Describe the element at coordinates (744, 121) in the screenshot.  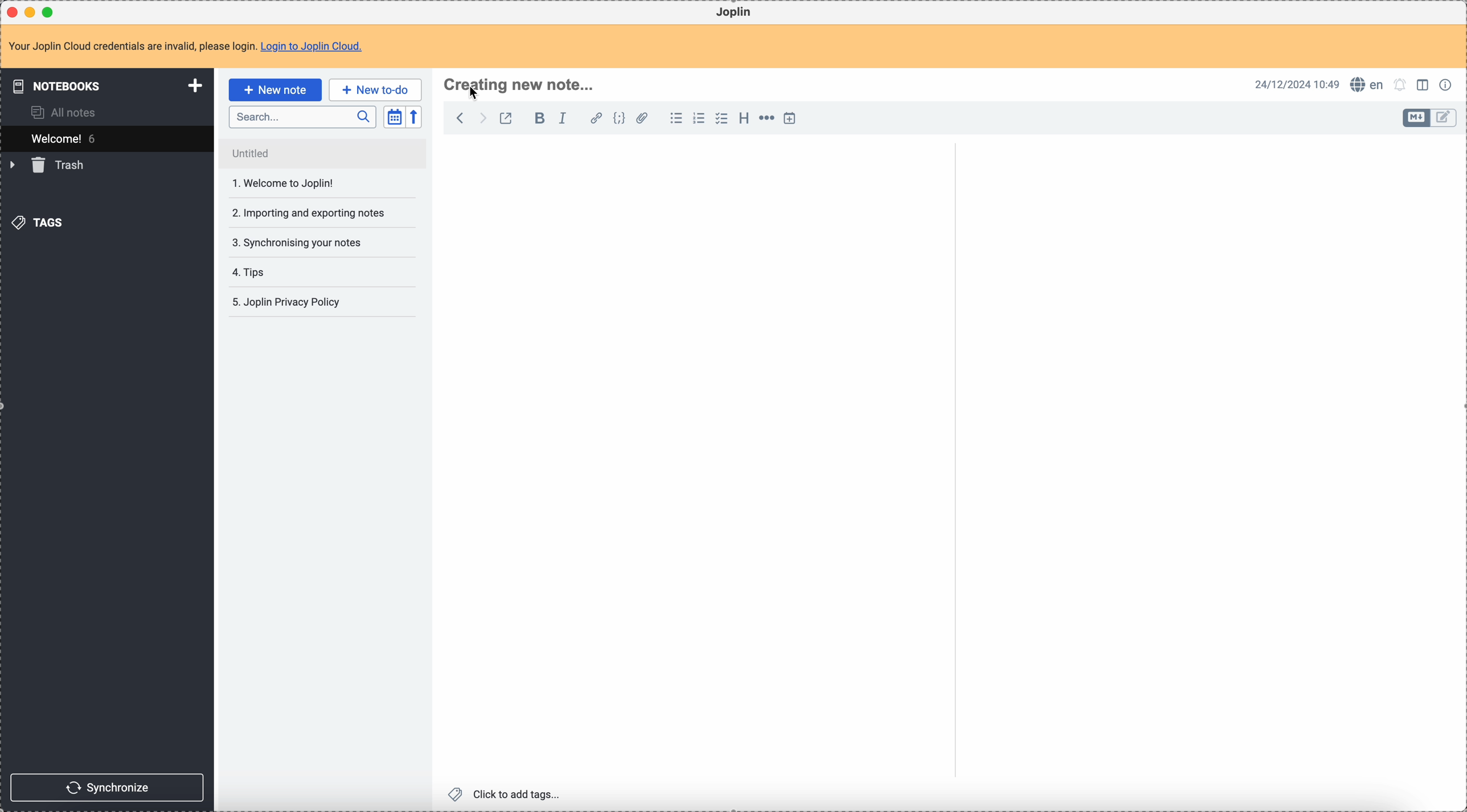
I see `heading` at that location.